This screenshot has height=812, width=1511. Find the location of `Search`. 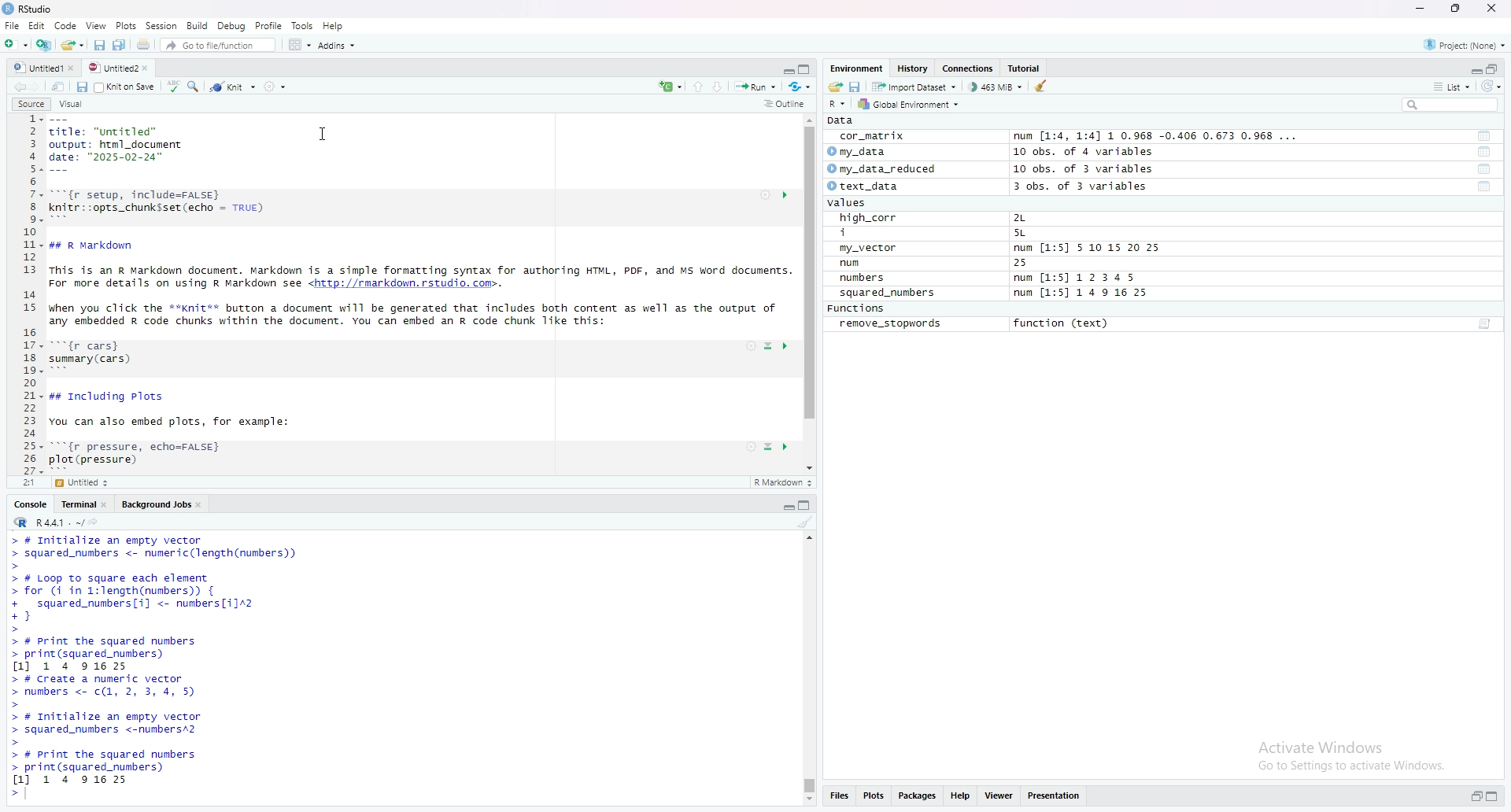

Search is located at coordinates (197, 85).